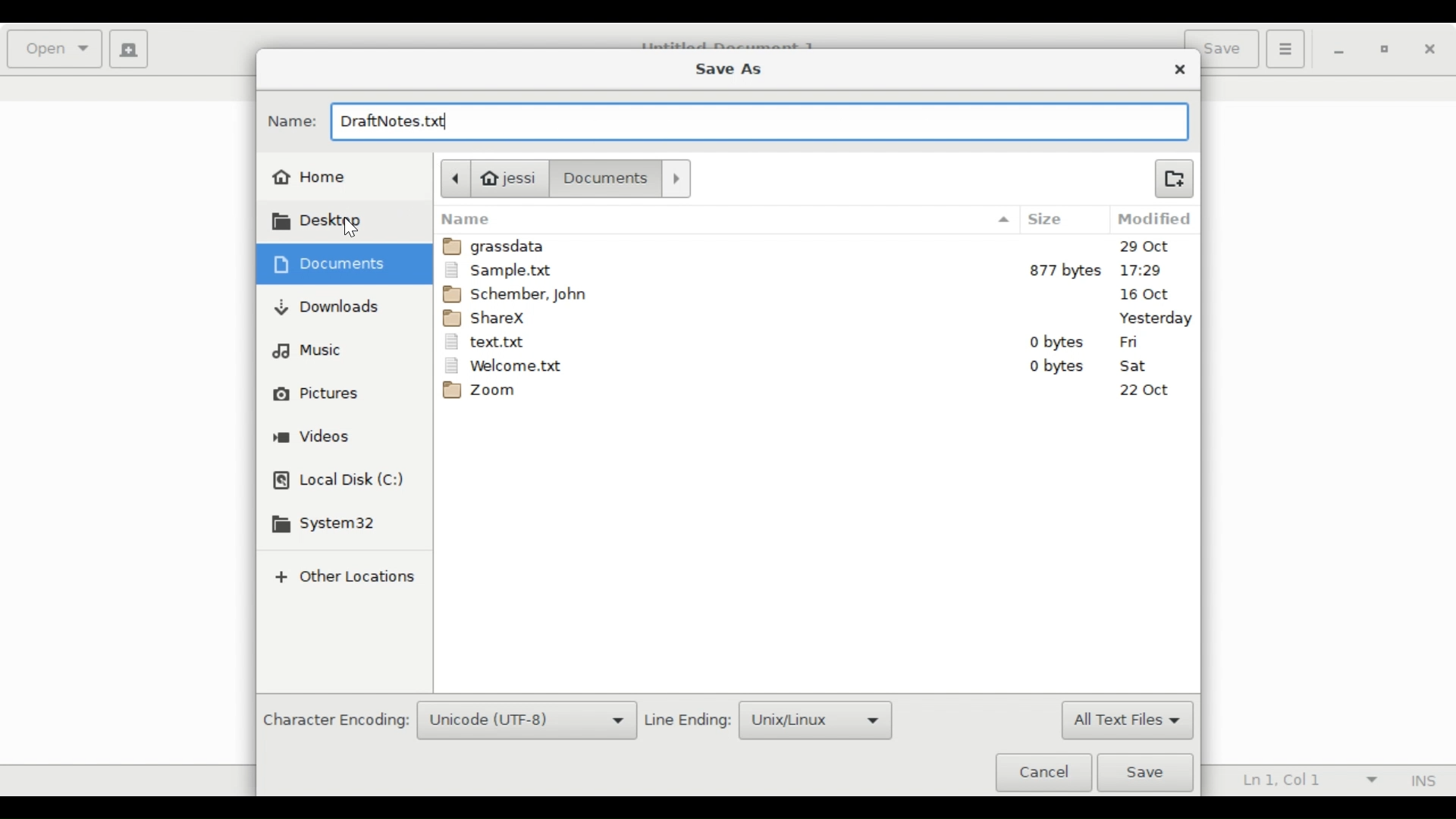 This screenshot has width=1456, height=819. I want to click on Documents, so click(334, 264).